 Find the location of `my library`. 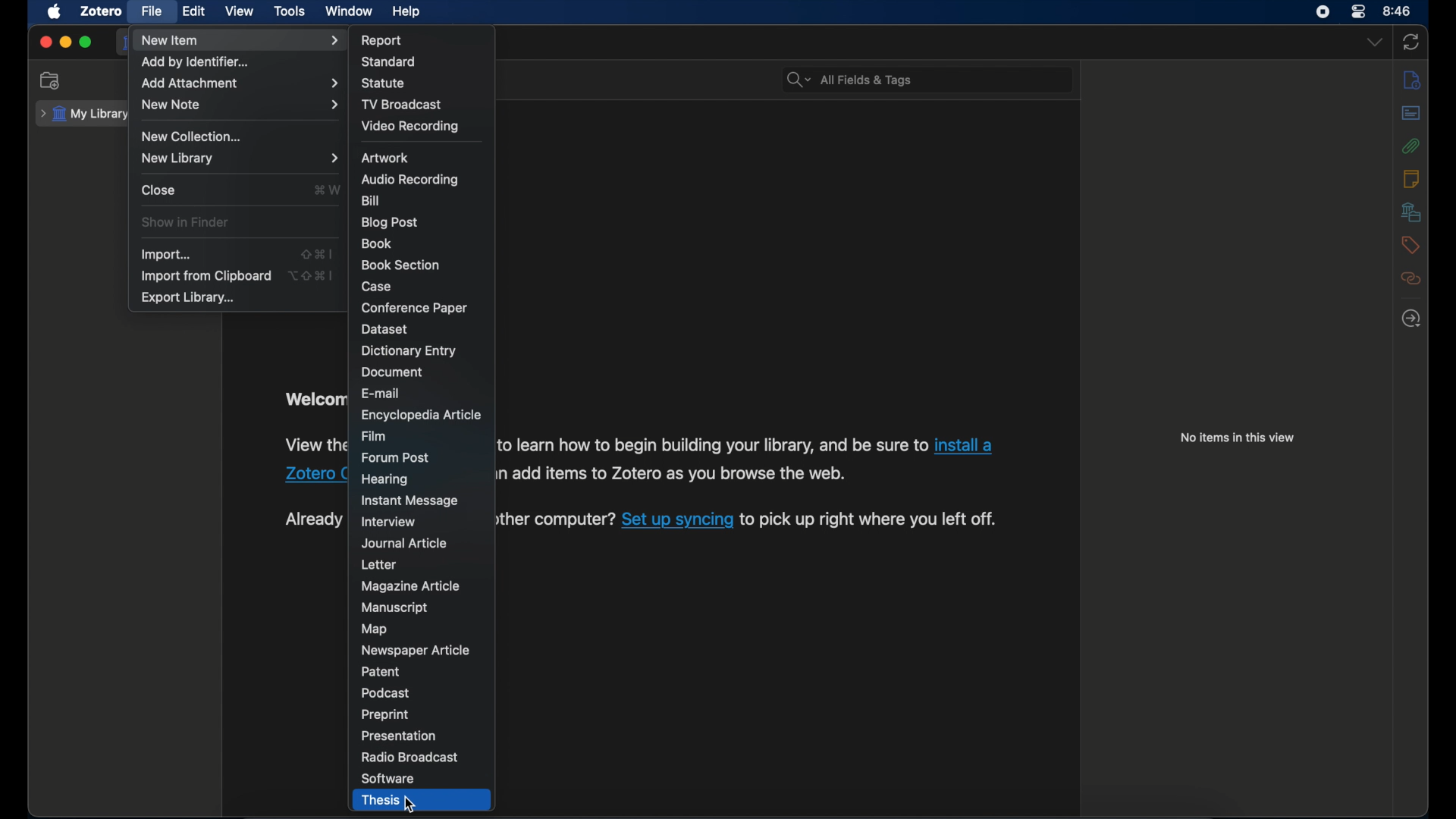

my library is located at coordinates (83, 115).